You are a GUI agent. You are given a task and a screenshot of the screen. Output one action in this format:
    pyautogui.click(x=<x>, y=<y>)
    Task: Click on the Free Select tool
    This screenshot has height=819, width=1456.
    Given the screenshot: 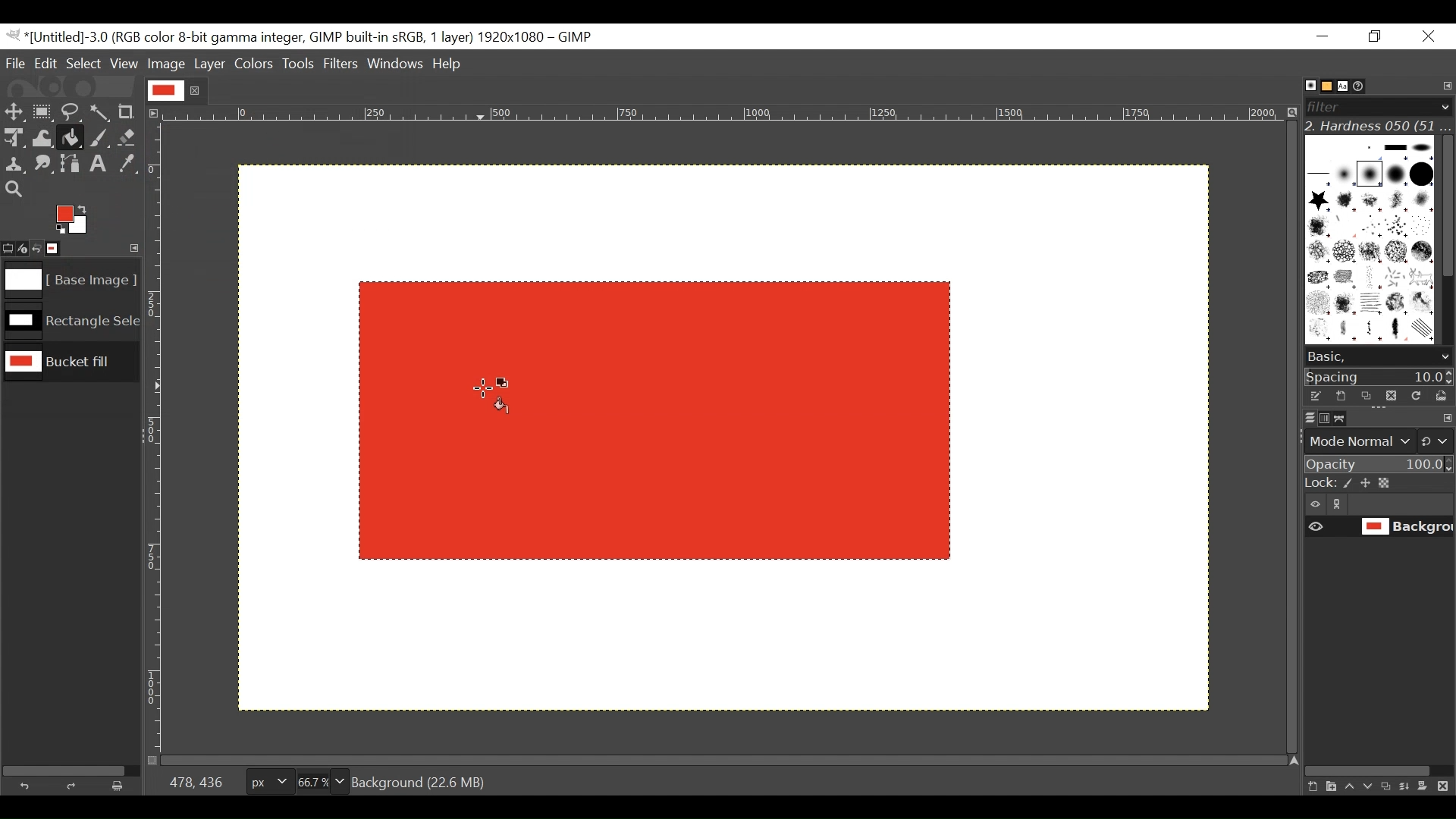 What is the action you would take?
    pyautogui.click(x=70, y=109)
    